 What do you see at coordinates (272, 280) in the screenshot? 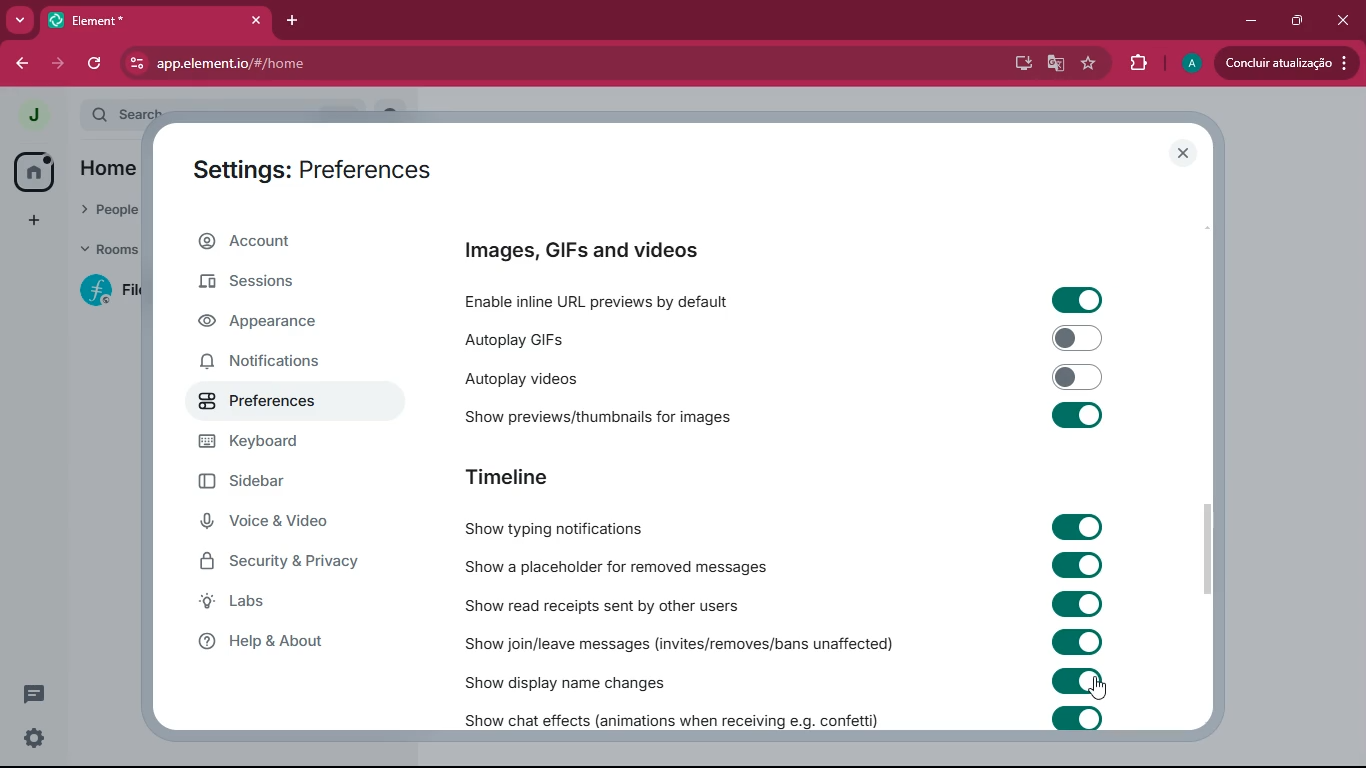
I see `sessions` at bounding box center [272, 280].